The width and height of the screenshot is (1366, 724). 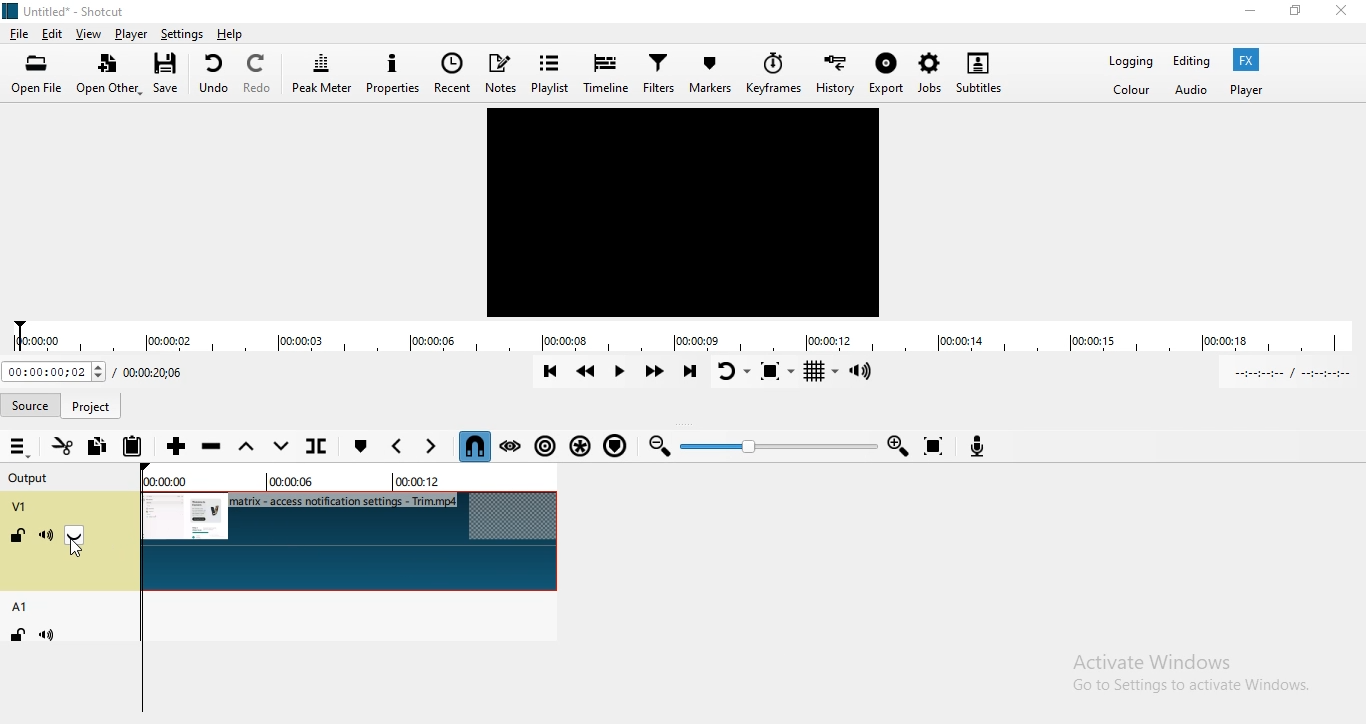 I want to click on Filters, so click(x=658, y=75).